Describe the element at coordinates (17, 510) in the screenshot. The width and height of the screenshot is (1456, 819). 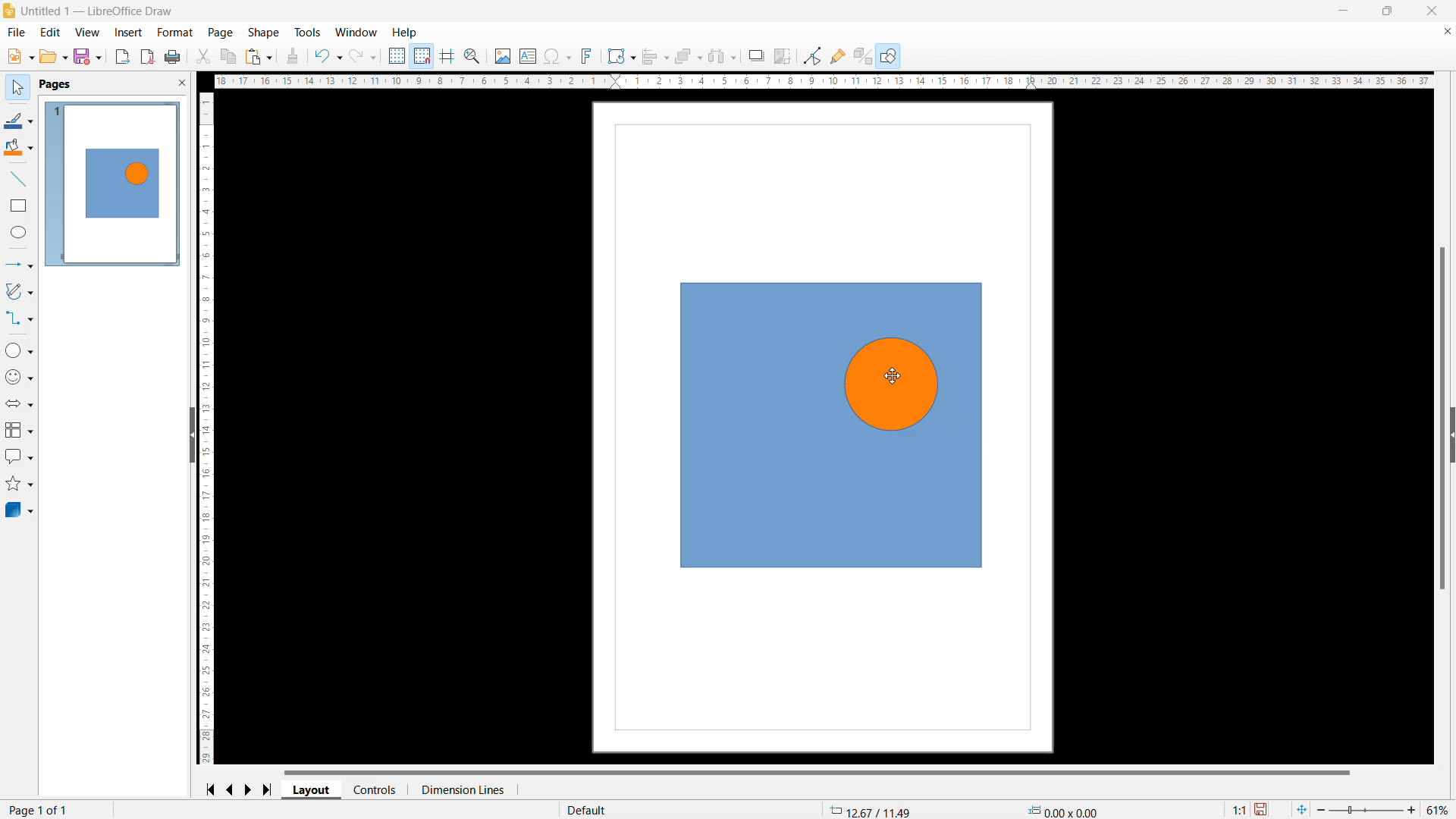
I see `3D objects` at that location.